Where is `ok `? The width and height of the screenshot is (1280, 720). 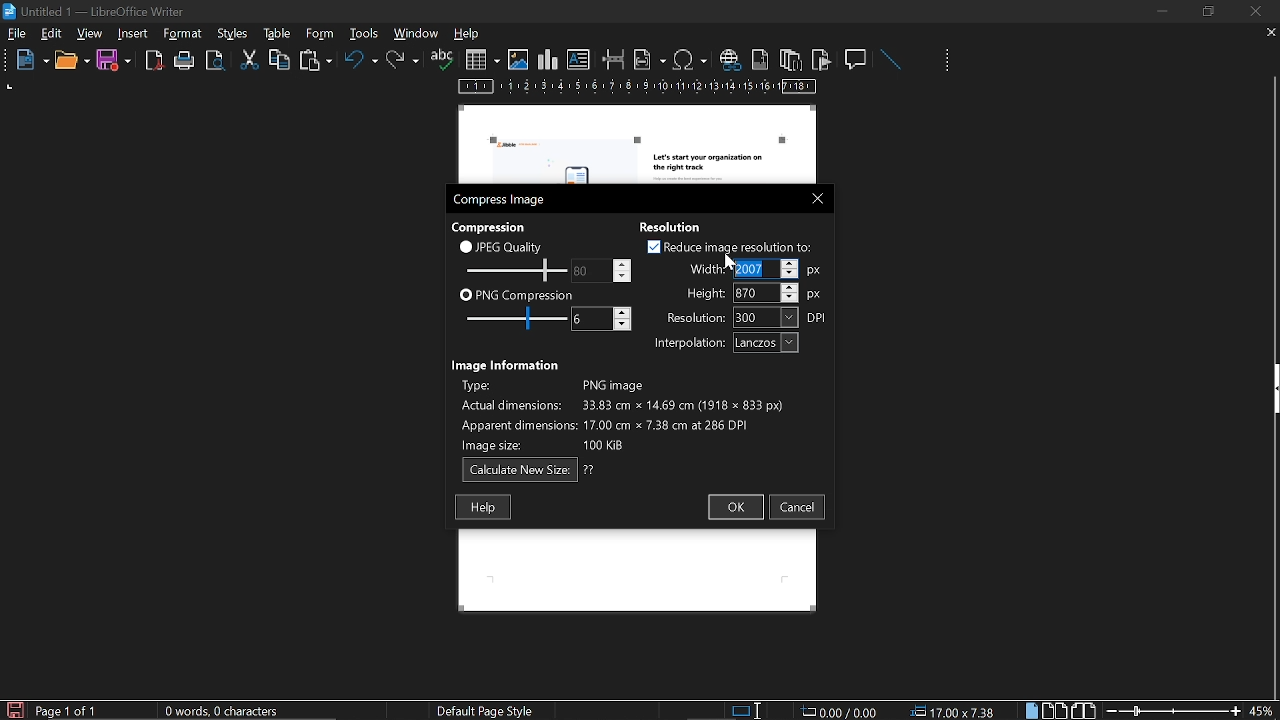
ok  is located at coordinates (734, 508).